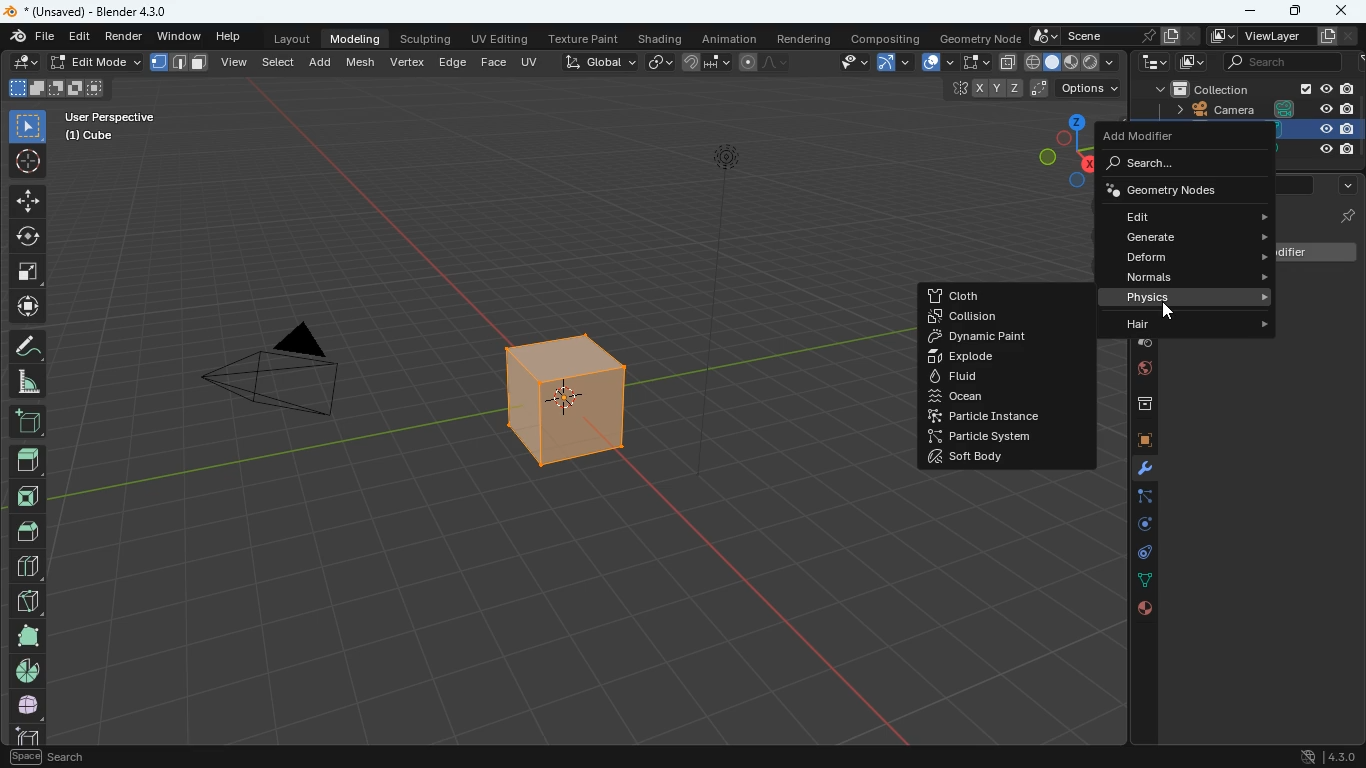 This screenshot has width=1366, height=768. I want to click on layout, so click(295, 37).